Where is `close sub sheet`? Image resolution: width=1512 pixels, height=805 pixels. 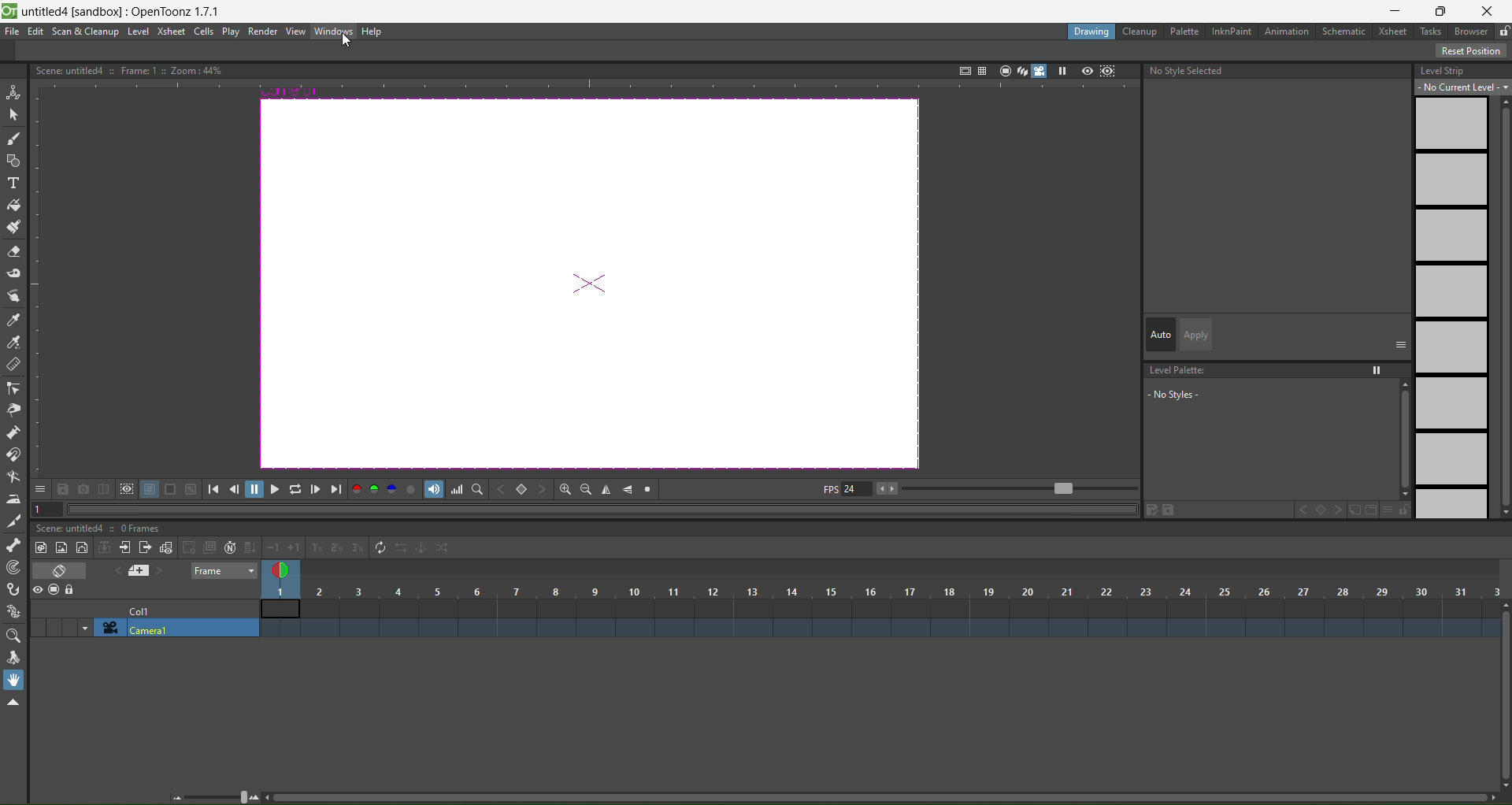 close sub sheet is located at coordinates (145, 549).